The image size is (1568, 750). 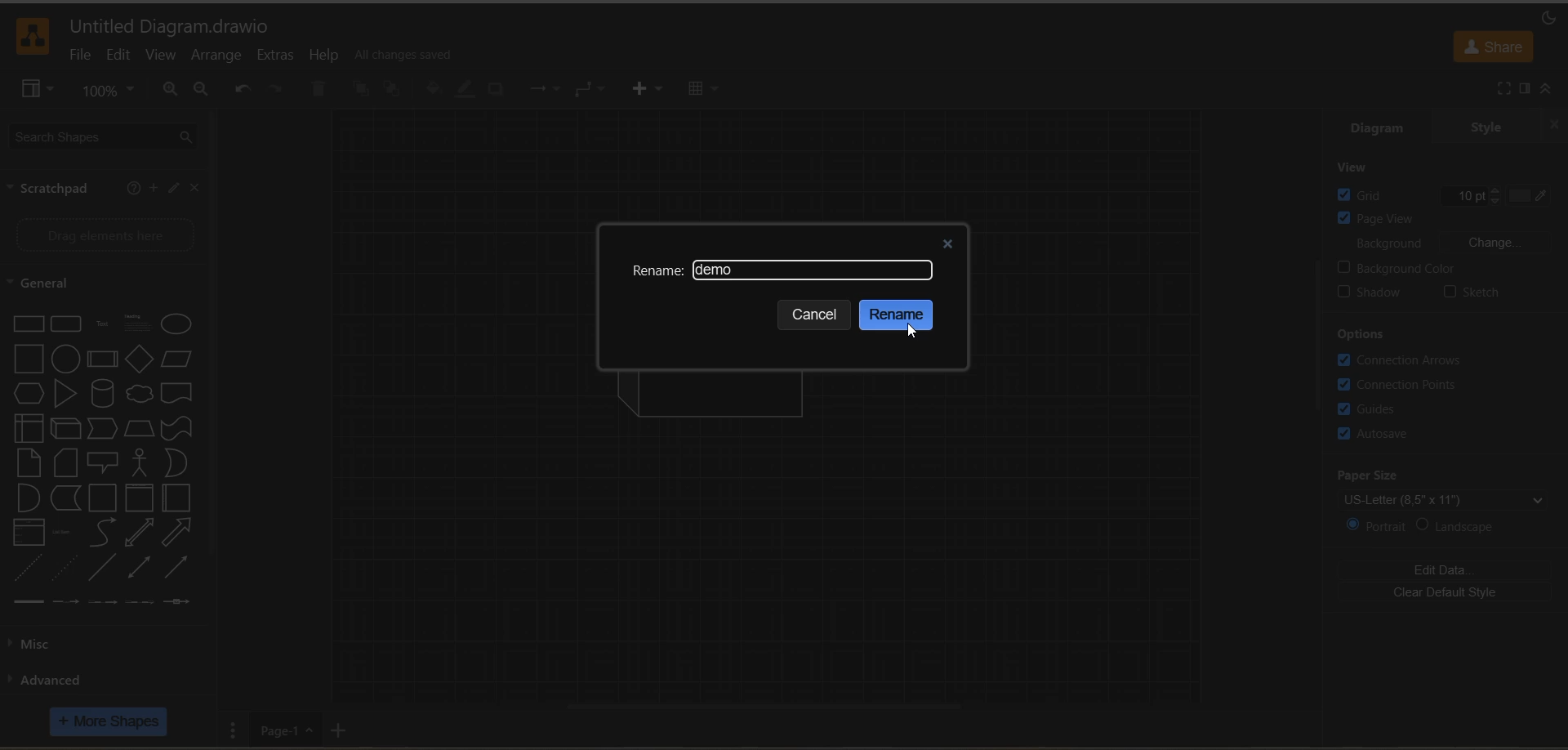 I want to click on connection arrows, so click(x=1404, y=360).